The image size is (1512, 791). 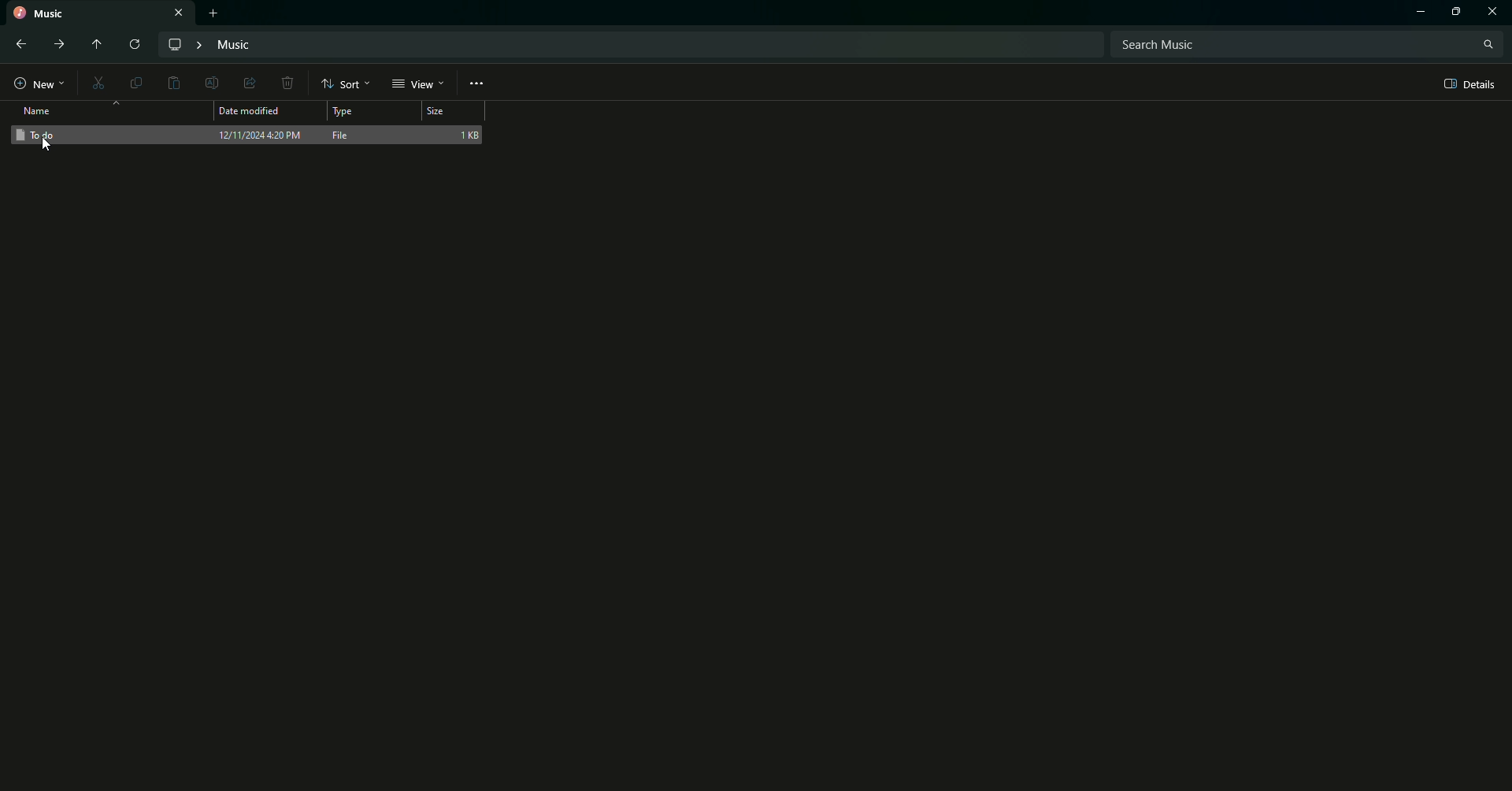 I want to click on Forward, so click(x=56, y=46).